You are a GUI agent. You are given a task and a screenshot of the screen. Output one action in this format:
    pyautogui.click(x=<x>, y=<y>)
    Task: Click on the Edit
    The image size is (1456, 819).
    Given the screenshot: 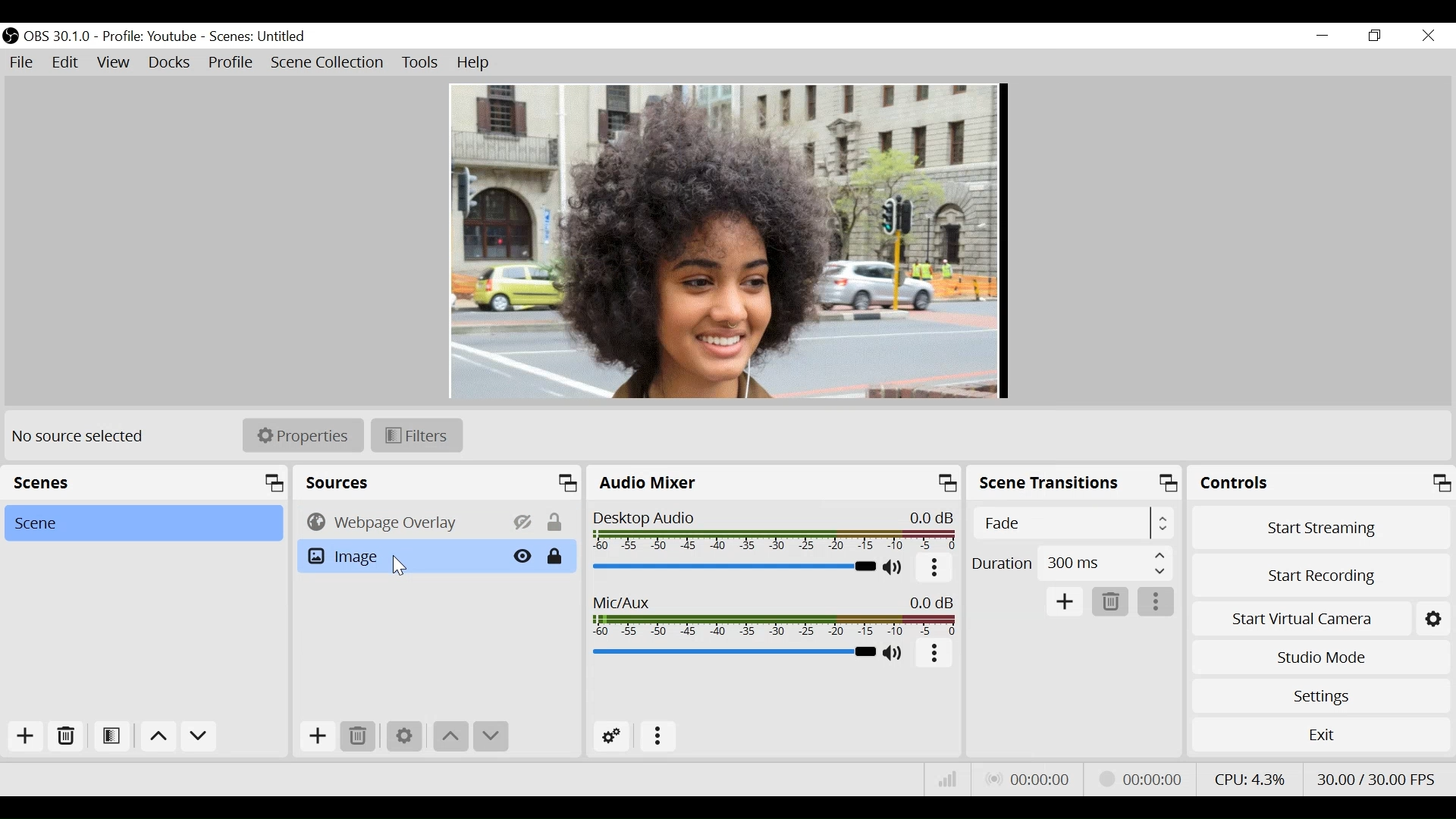 What is the action you would take?
    pyautogui.click(x=66, y=62)
    